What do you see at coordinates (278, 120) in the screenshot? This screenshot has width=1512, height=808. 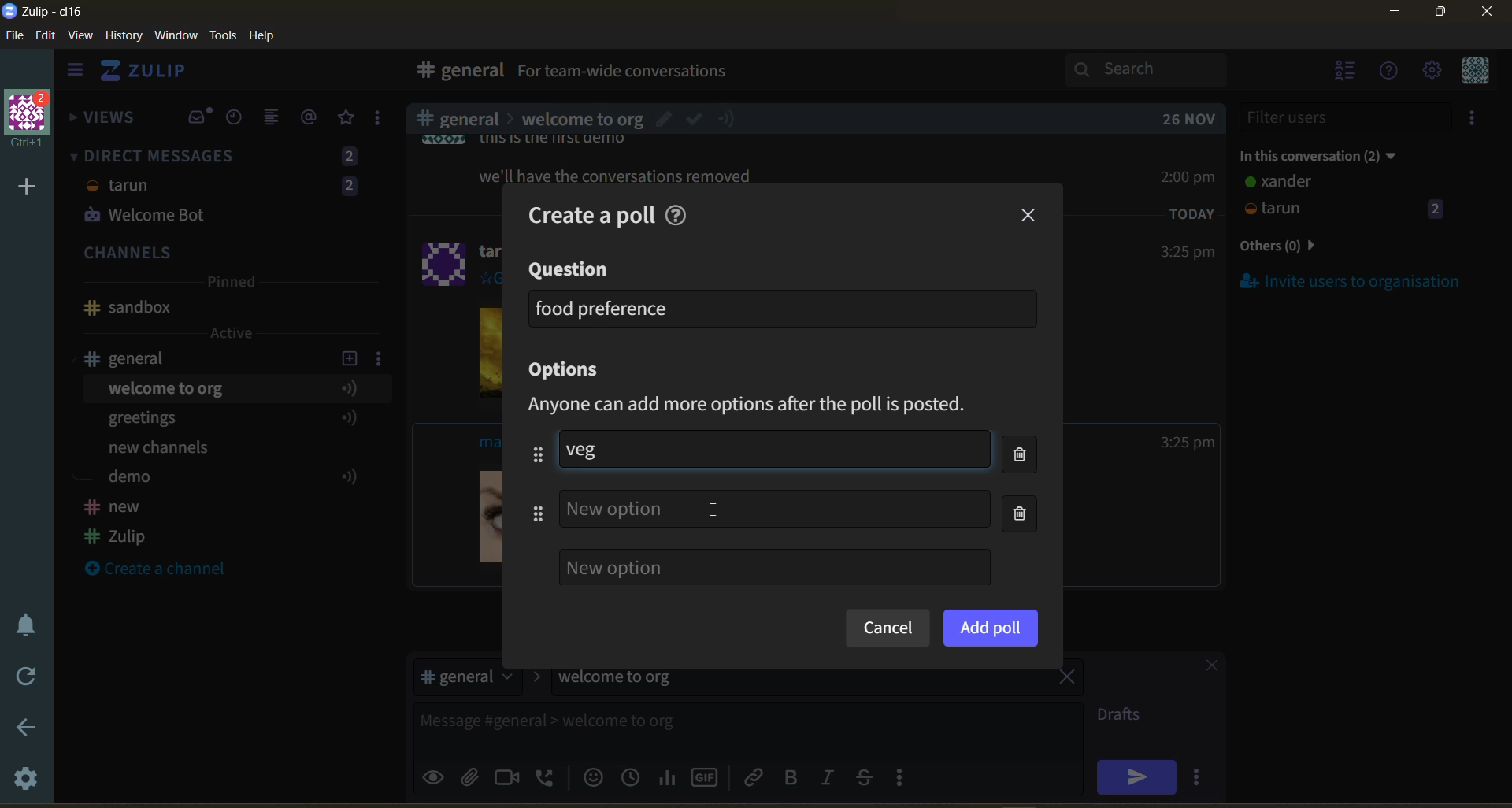 I see `combined feed` at bounding box center [278, 120].